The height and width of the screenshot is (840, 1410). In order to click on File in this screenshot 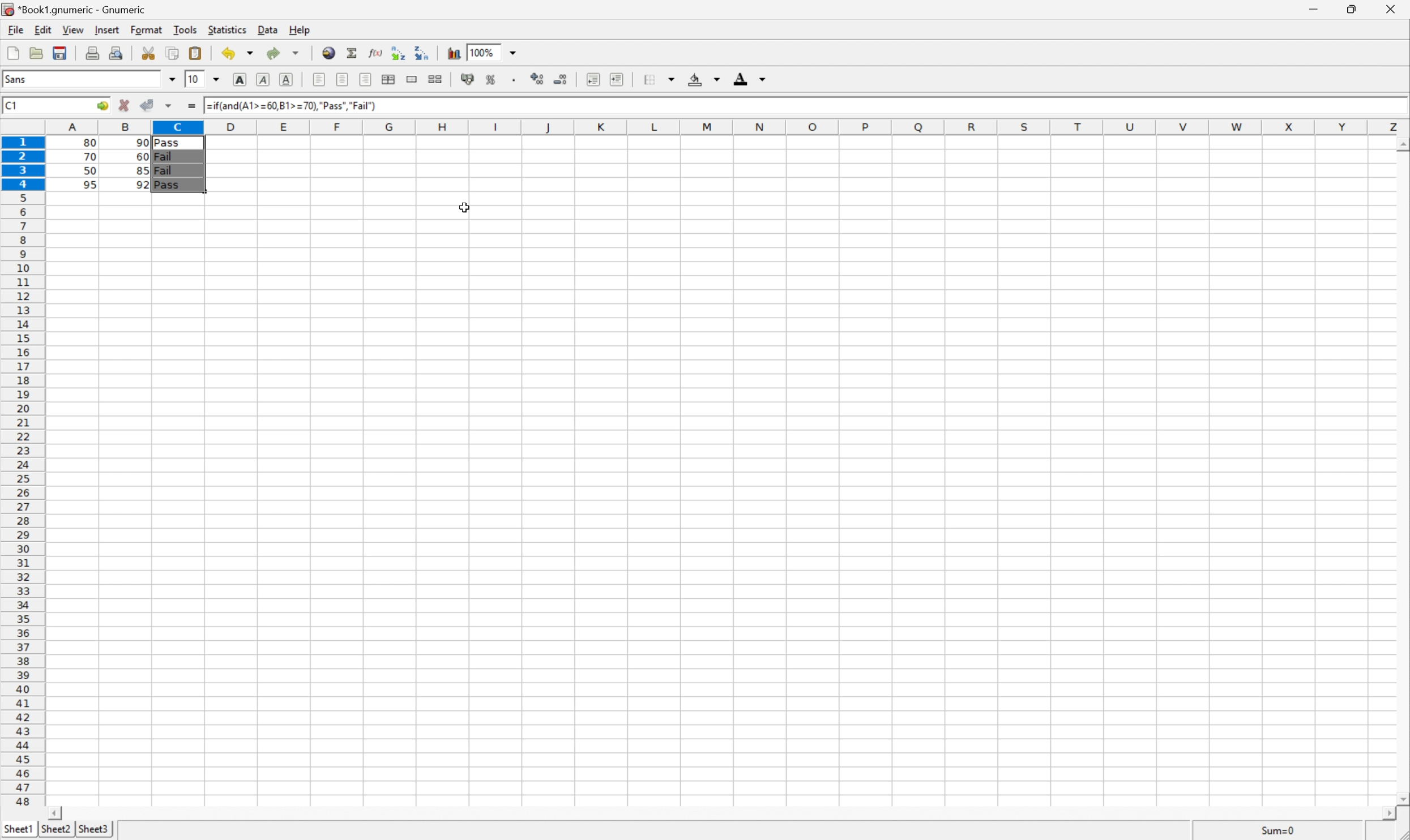, I will do `click(17, 30)`.